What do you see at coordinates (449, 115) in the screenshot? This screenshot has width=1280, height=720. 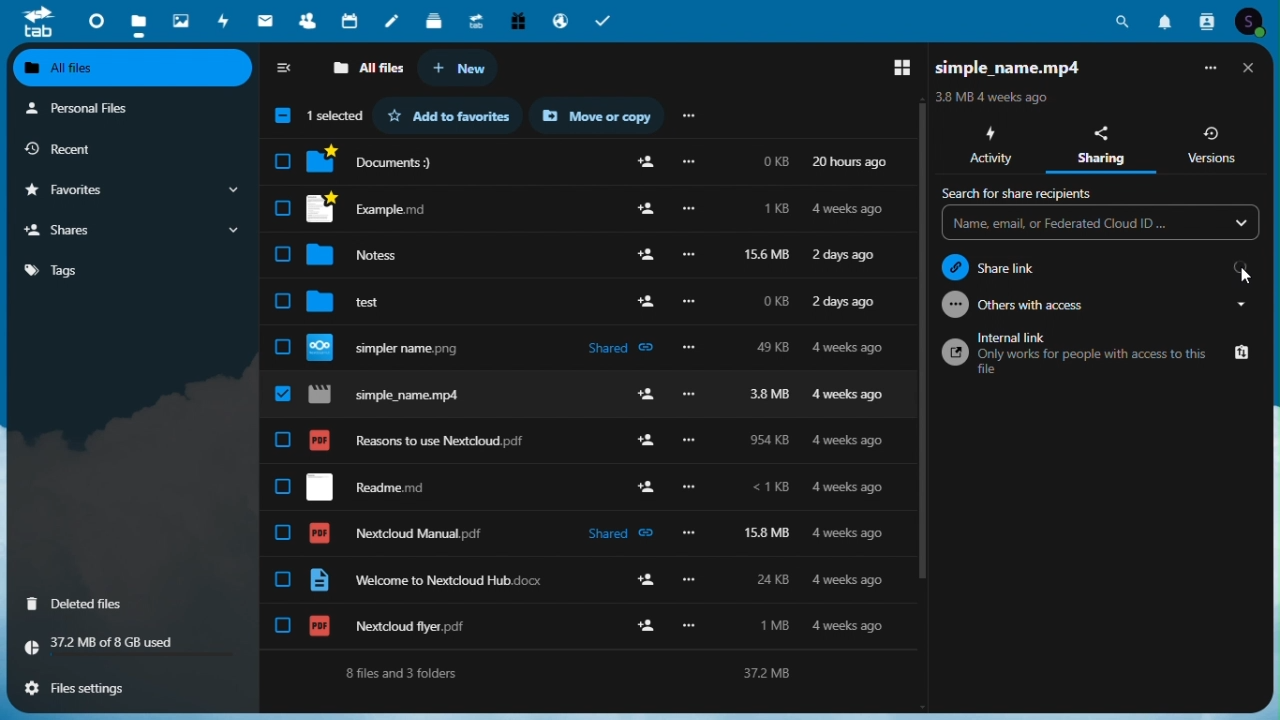 I see `Favourite` at bounding box center [449, 115].